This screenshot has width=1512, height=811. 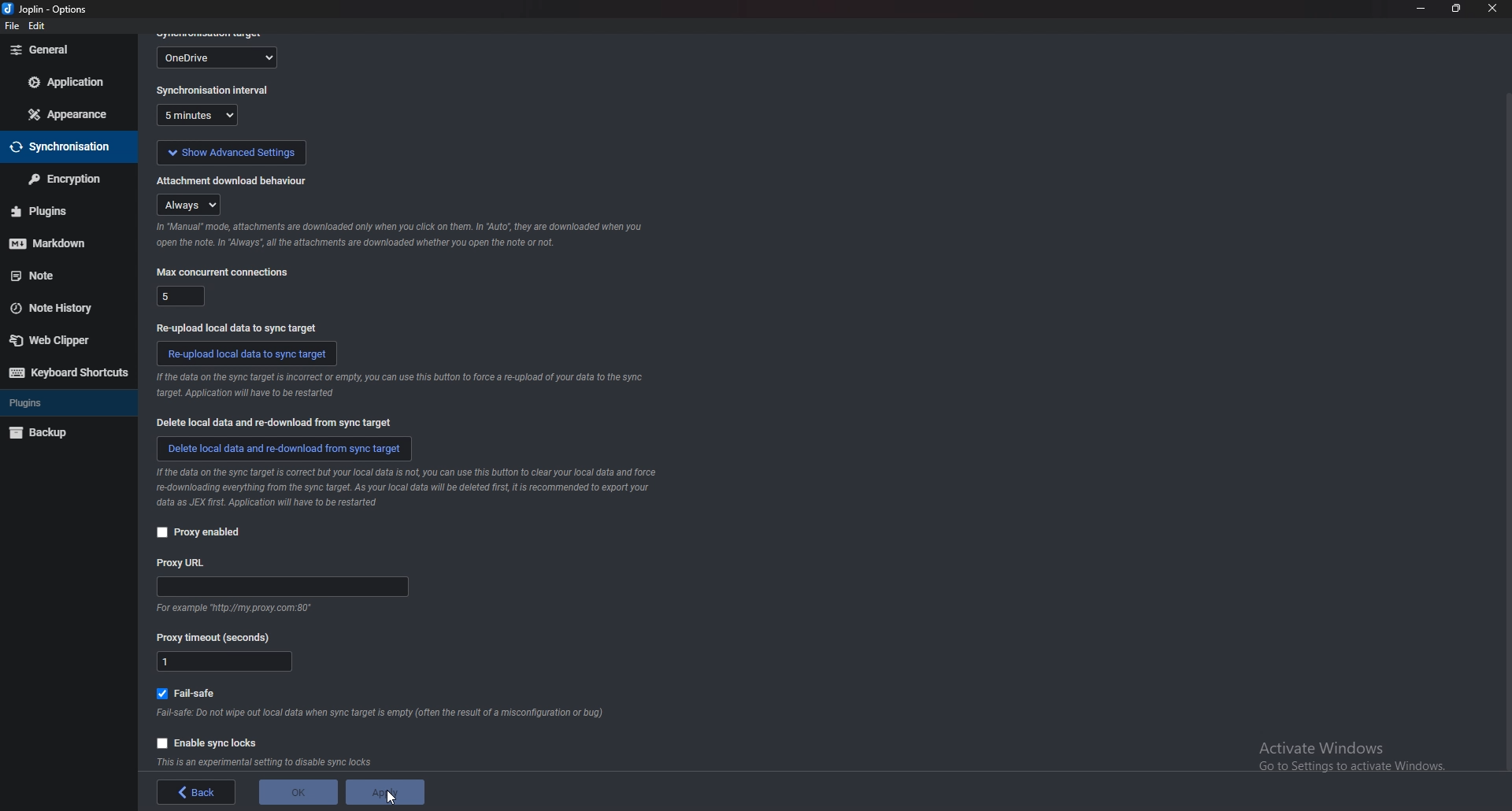 I want to click on scroll bar, so click(x=1506, y=433).